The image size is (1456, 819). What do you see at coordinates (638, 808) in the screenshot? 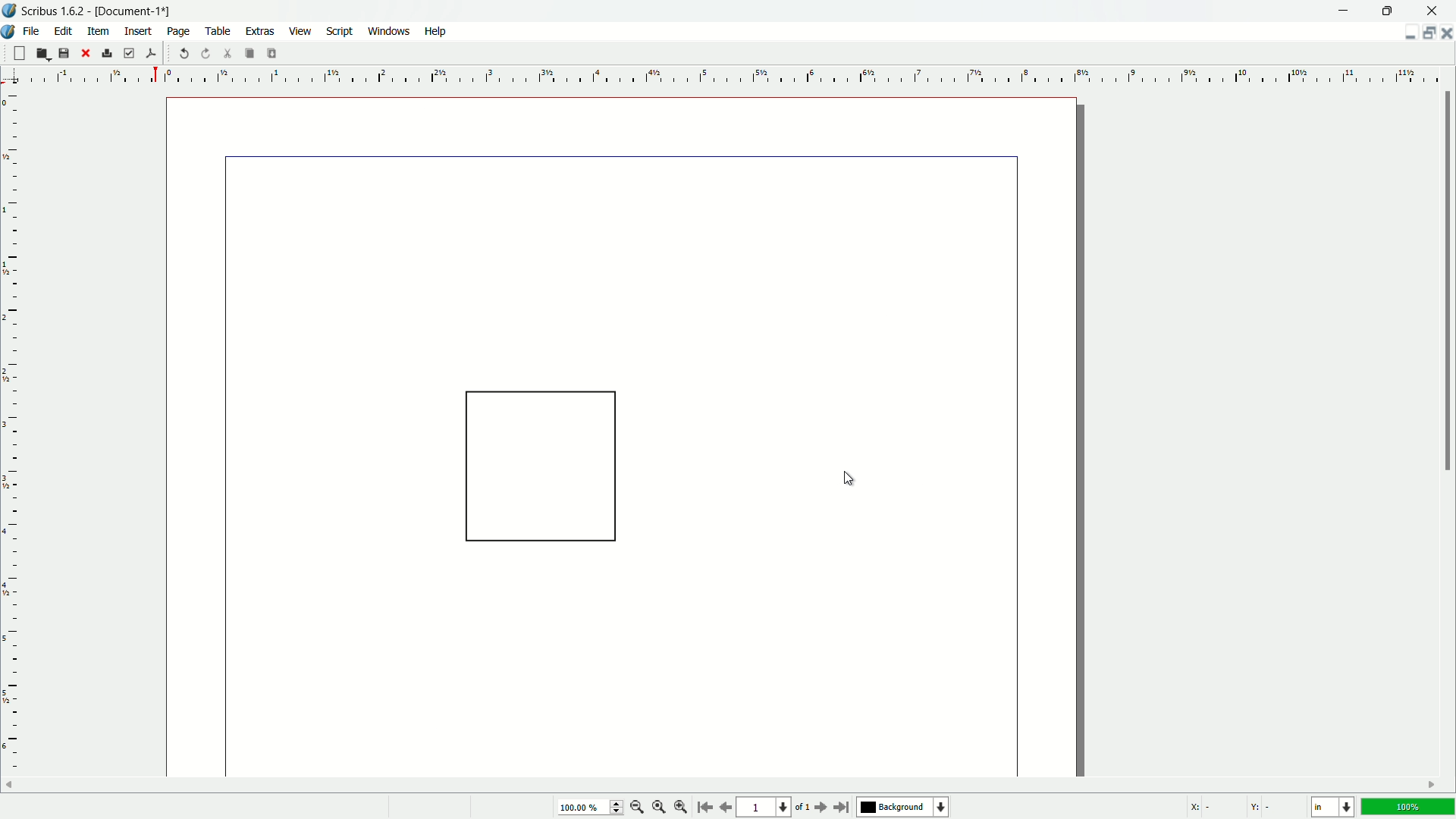
I see `zoom out` at bounding box center [638, 808].